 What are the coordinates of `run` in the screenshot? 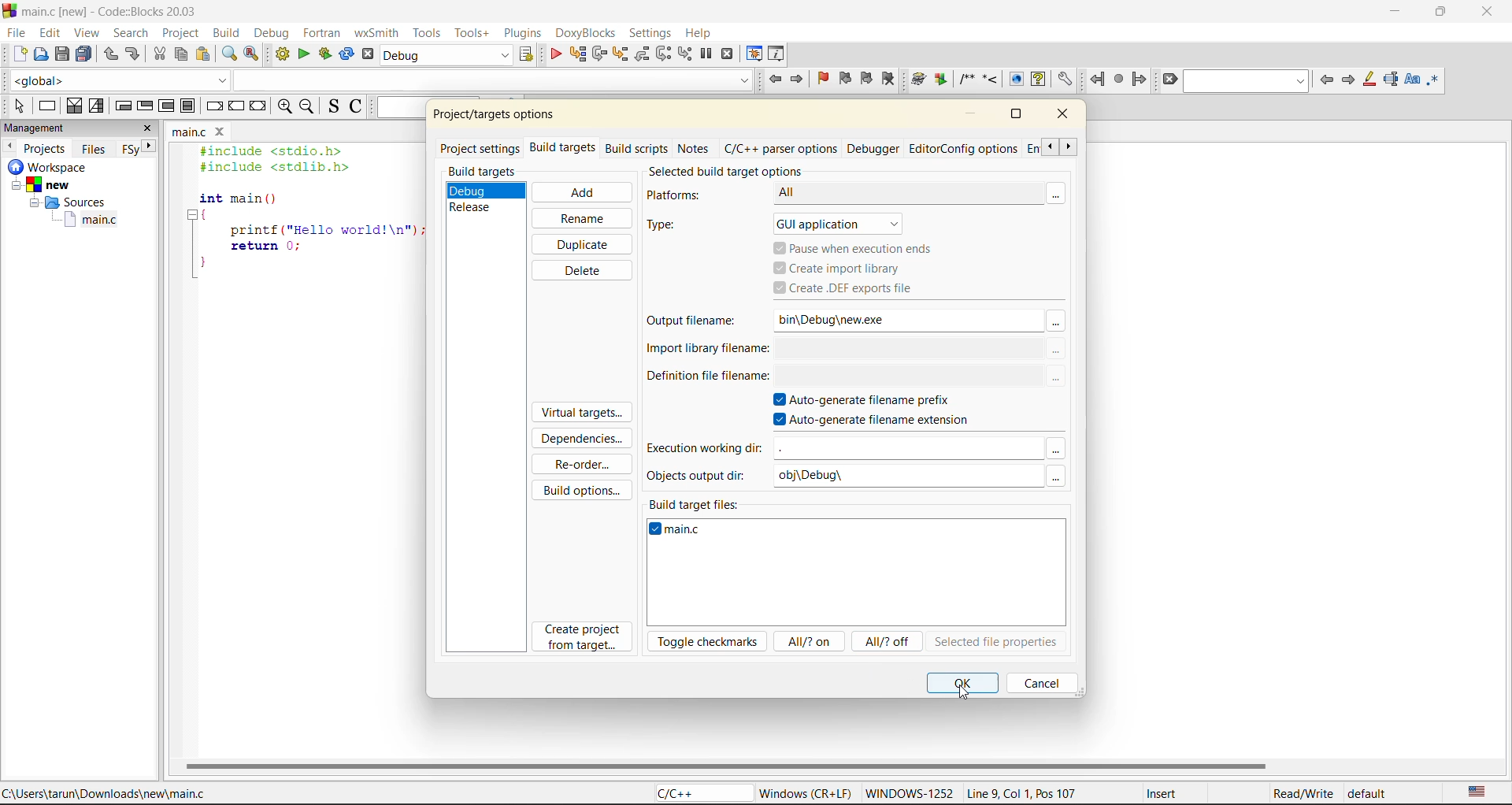 It's located at (305, 53).